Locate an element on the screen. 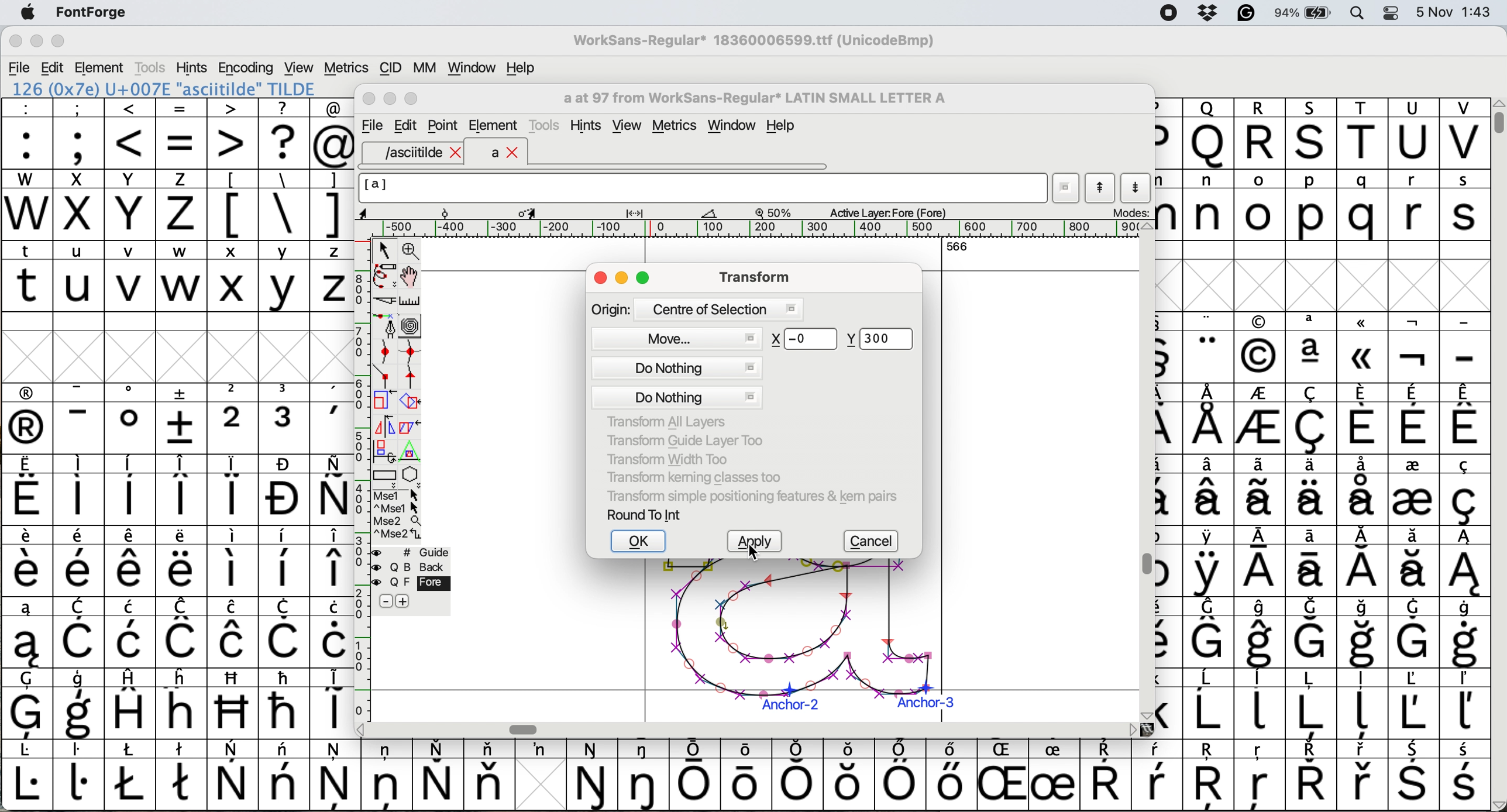 Image resolution: width=1507 pixels, height=812 pixels. flip selection is located at coordinates (384, 425).